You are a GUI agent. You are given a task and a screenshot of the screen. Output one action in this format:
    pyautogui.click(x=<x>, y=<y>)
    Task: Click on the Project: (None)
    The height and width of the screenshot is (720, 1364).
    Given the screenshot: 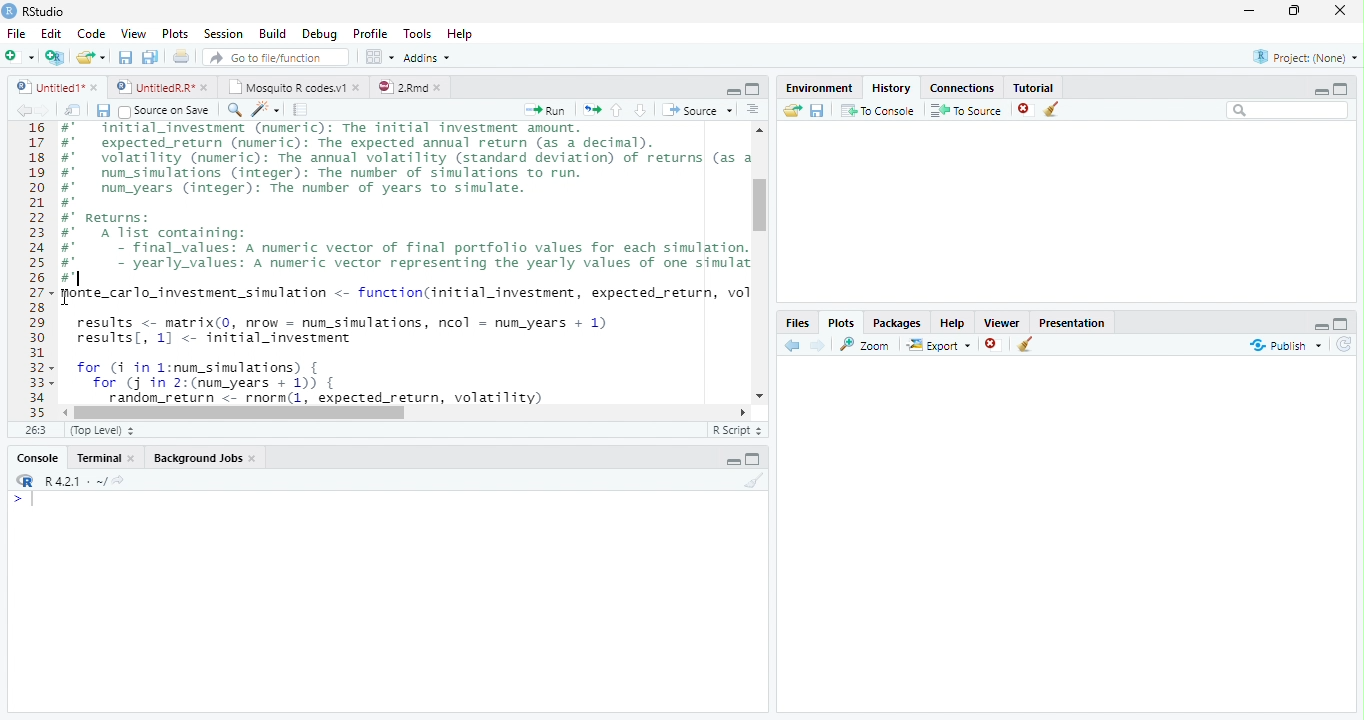 What is the action you would take?
    pyautogui.click(x=1301, y=58)
    